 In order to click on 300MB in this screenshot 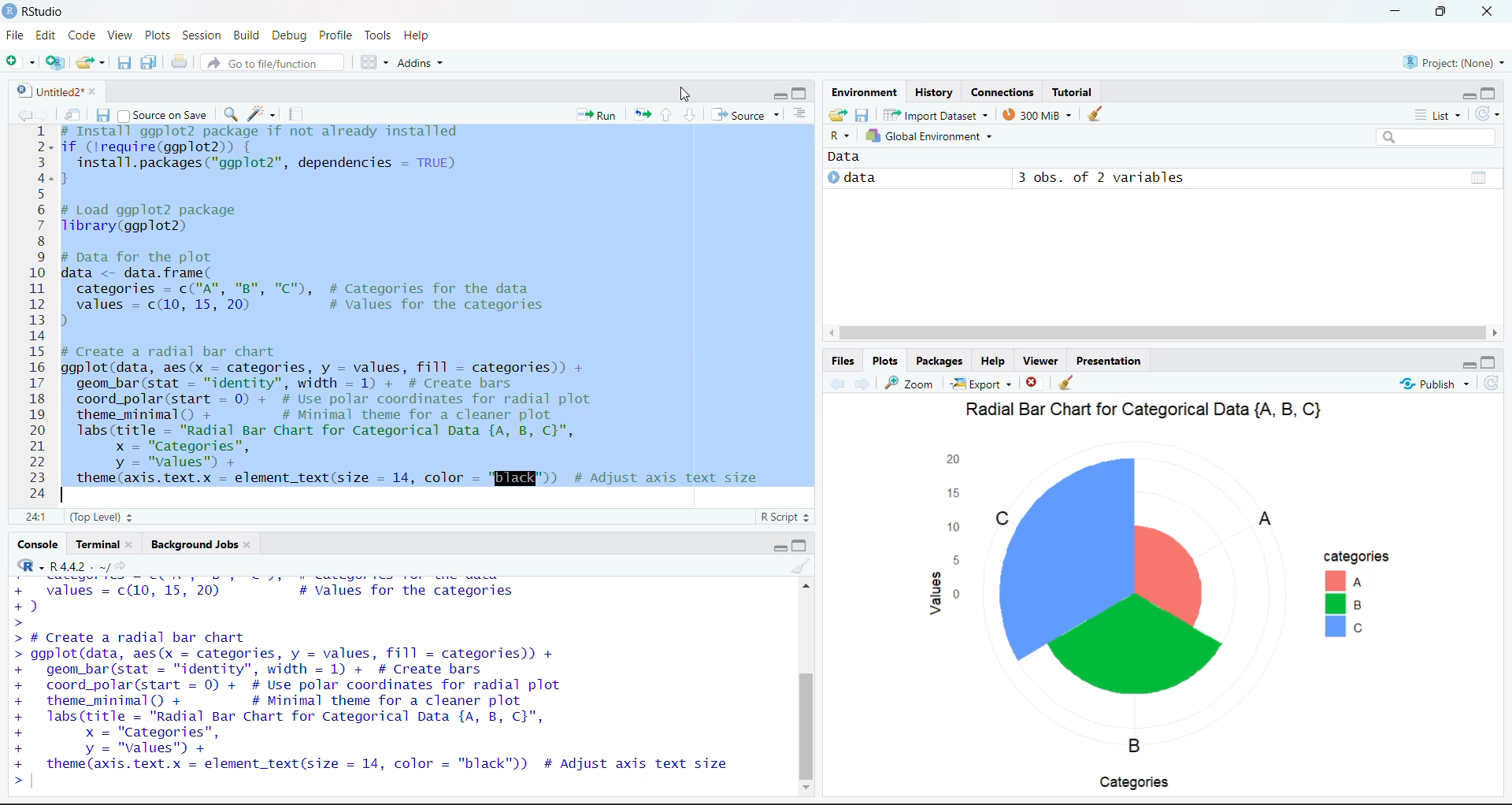, I will do `click(1043, 114)`.